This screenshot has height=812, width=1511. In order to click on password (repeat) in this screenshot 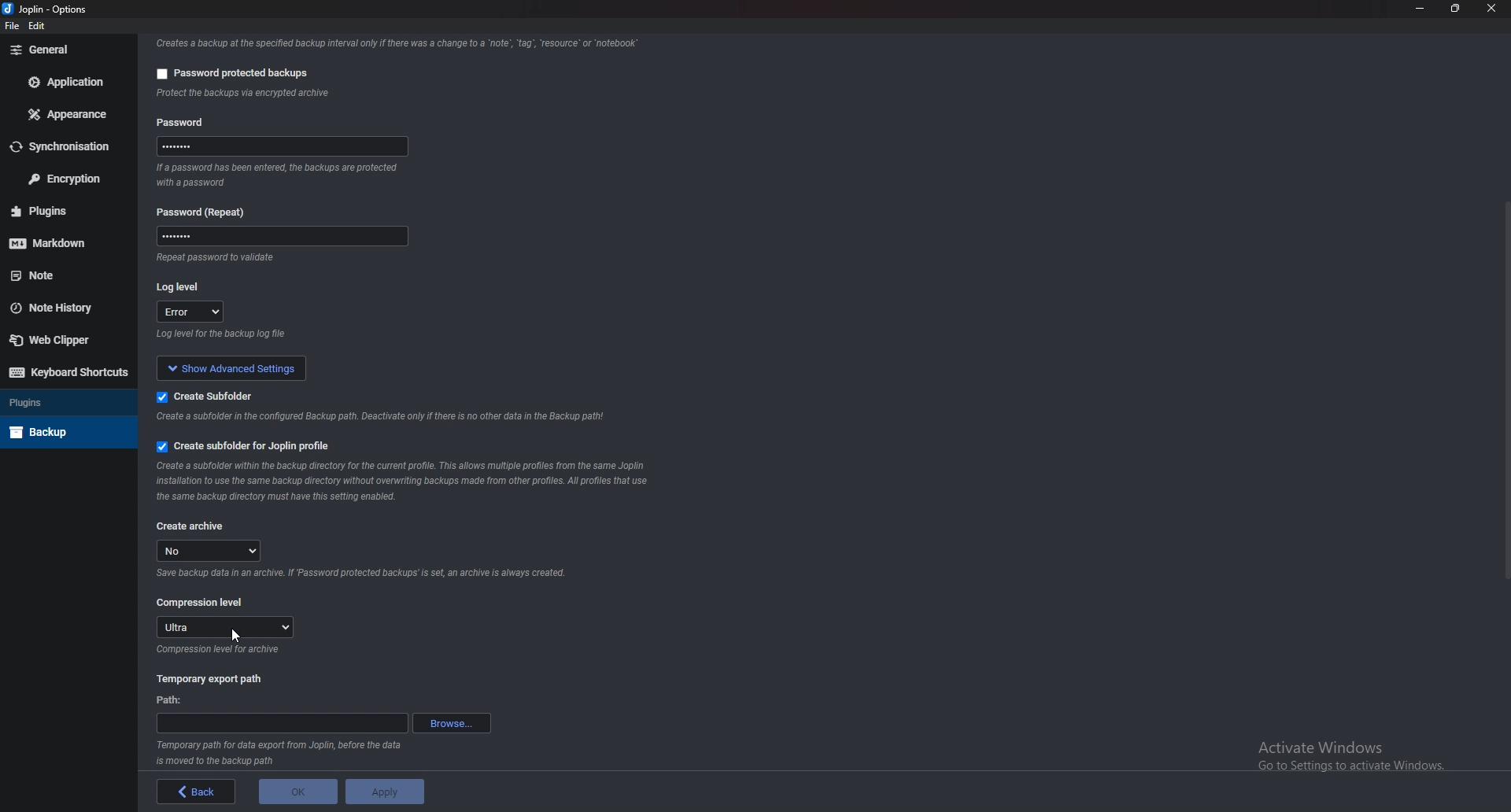, I will do `click(207, 212)`.